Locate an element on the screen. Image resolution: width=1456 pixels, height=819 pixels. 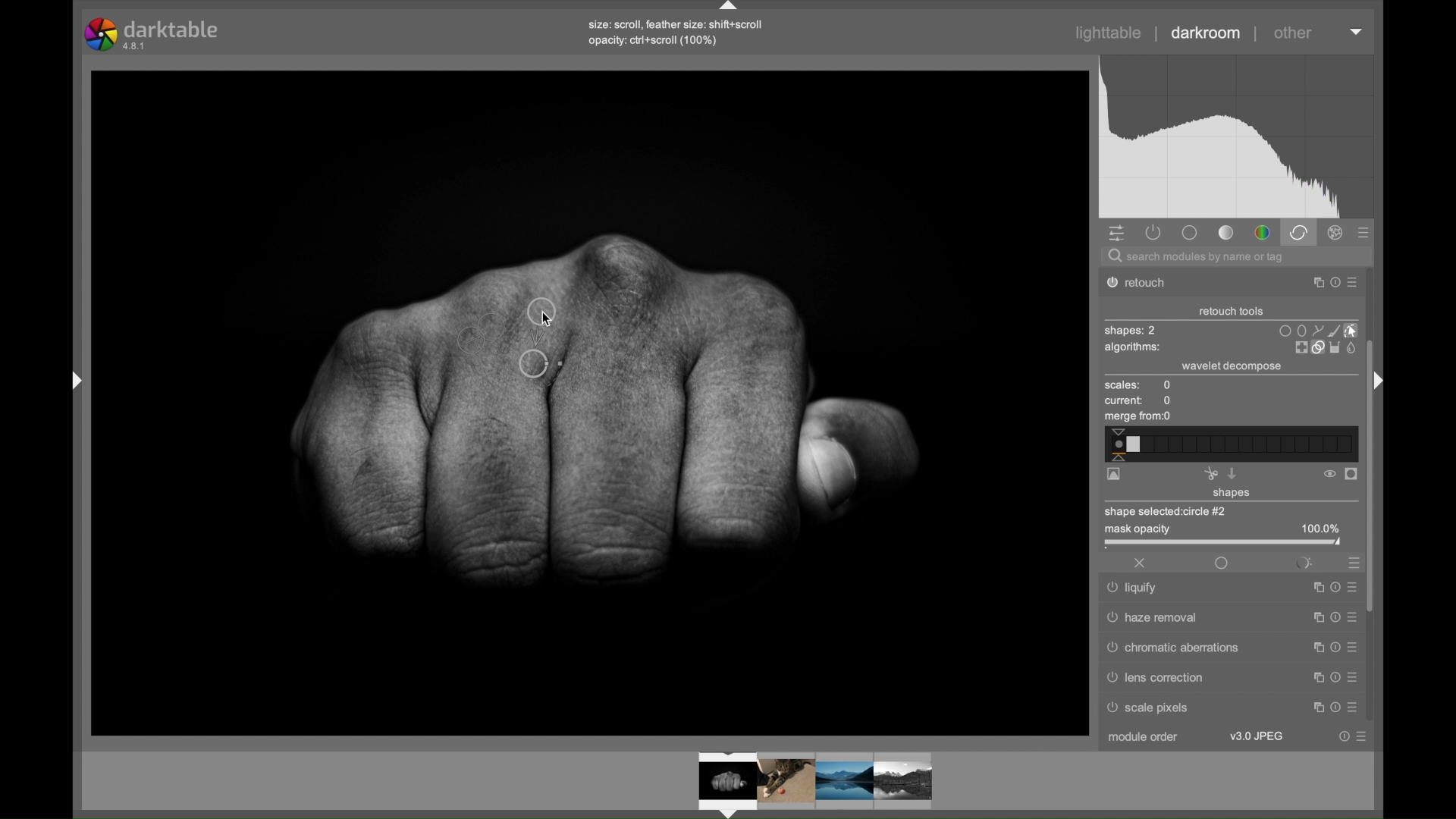
scroll box is located at coordinates (1373, 483).